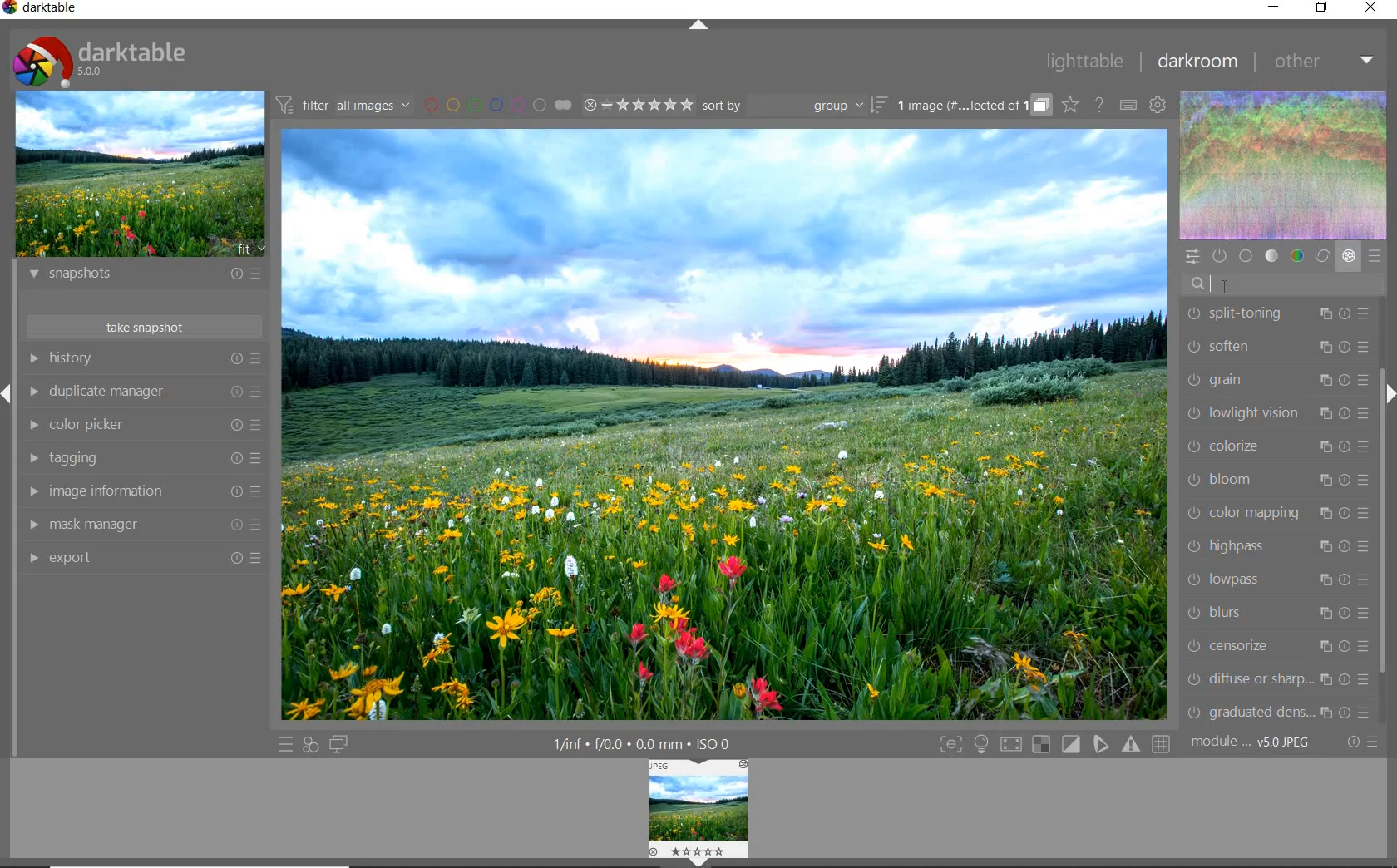 The width and height of the screenshot is (1397, 868). What do you see at coordinates (1348, 257) in the screenshot?
I see `effect` at bounding box center [1348, 257].